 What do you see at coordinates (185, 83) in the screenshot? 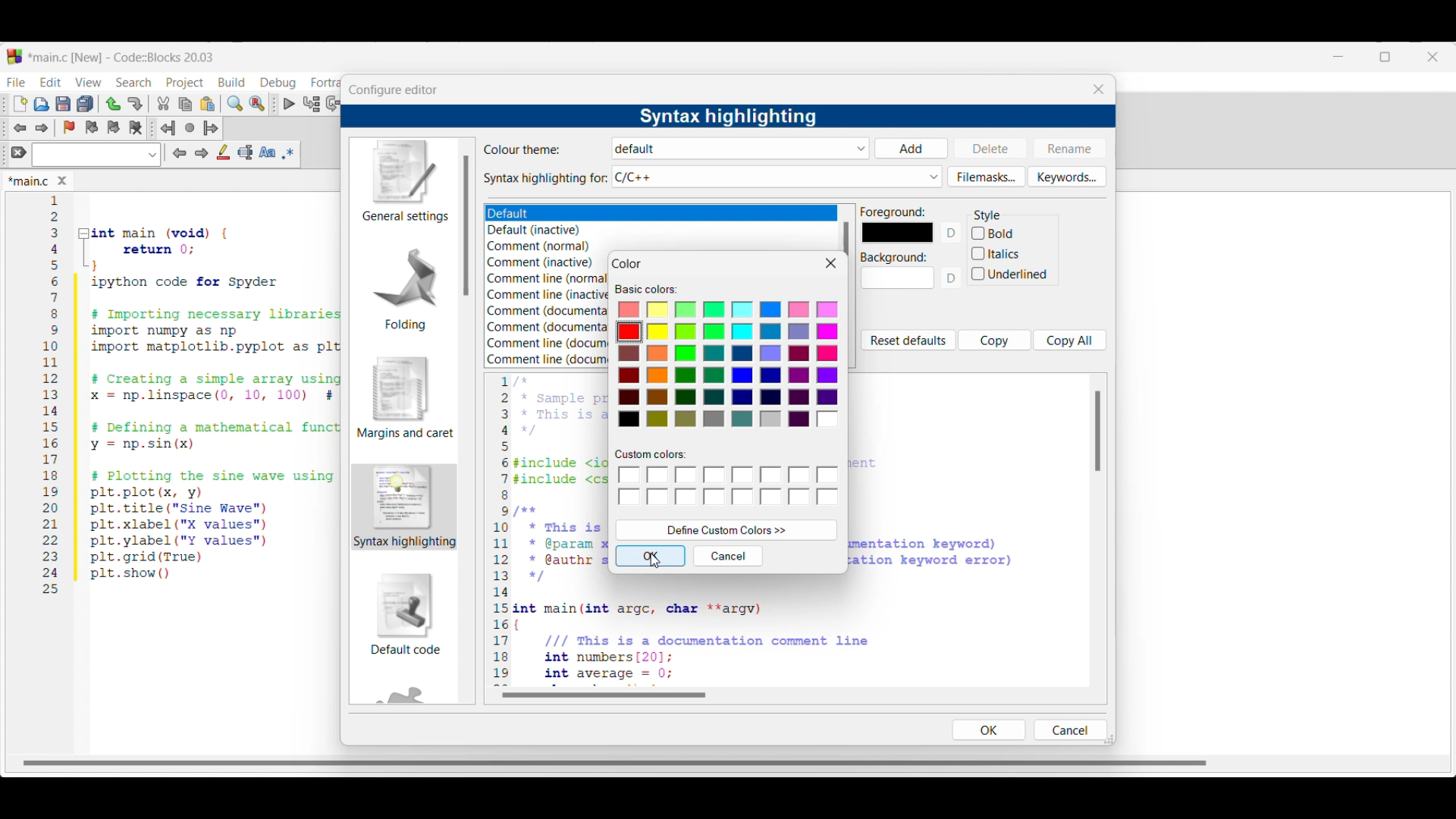
I see `Project menu` at bounding box center [185, 83].